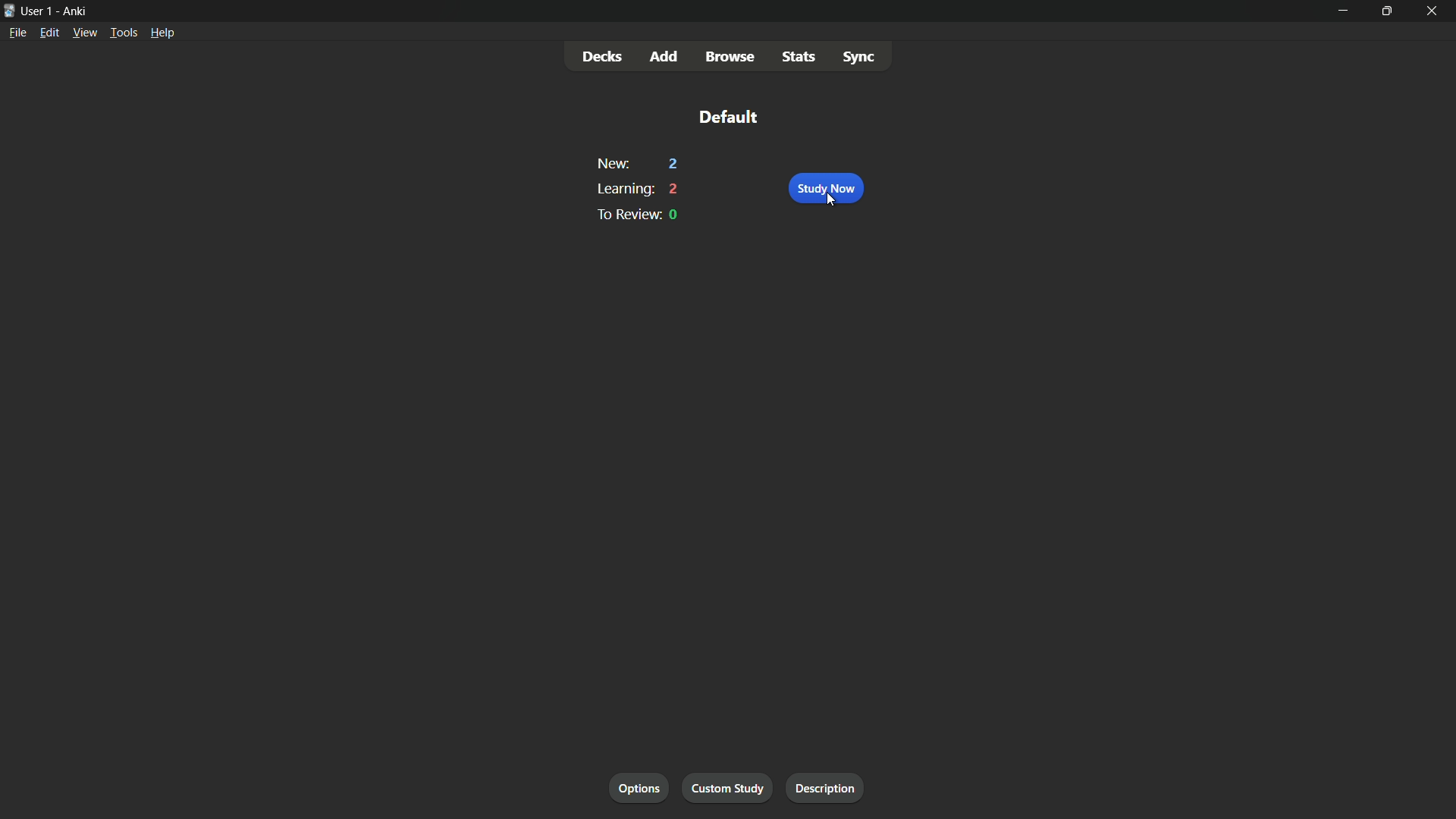 This screenshot has height=819, width=1456. Describe the element at coordinates (163, 32) in the screenshot. I see `help` at that location.